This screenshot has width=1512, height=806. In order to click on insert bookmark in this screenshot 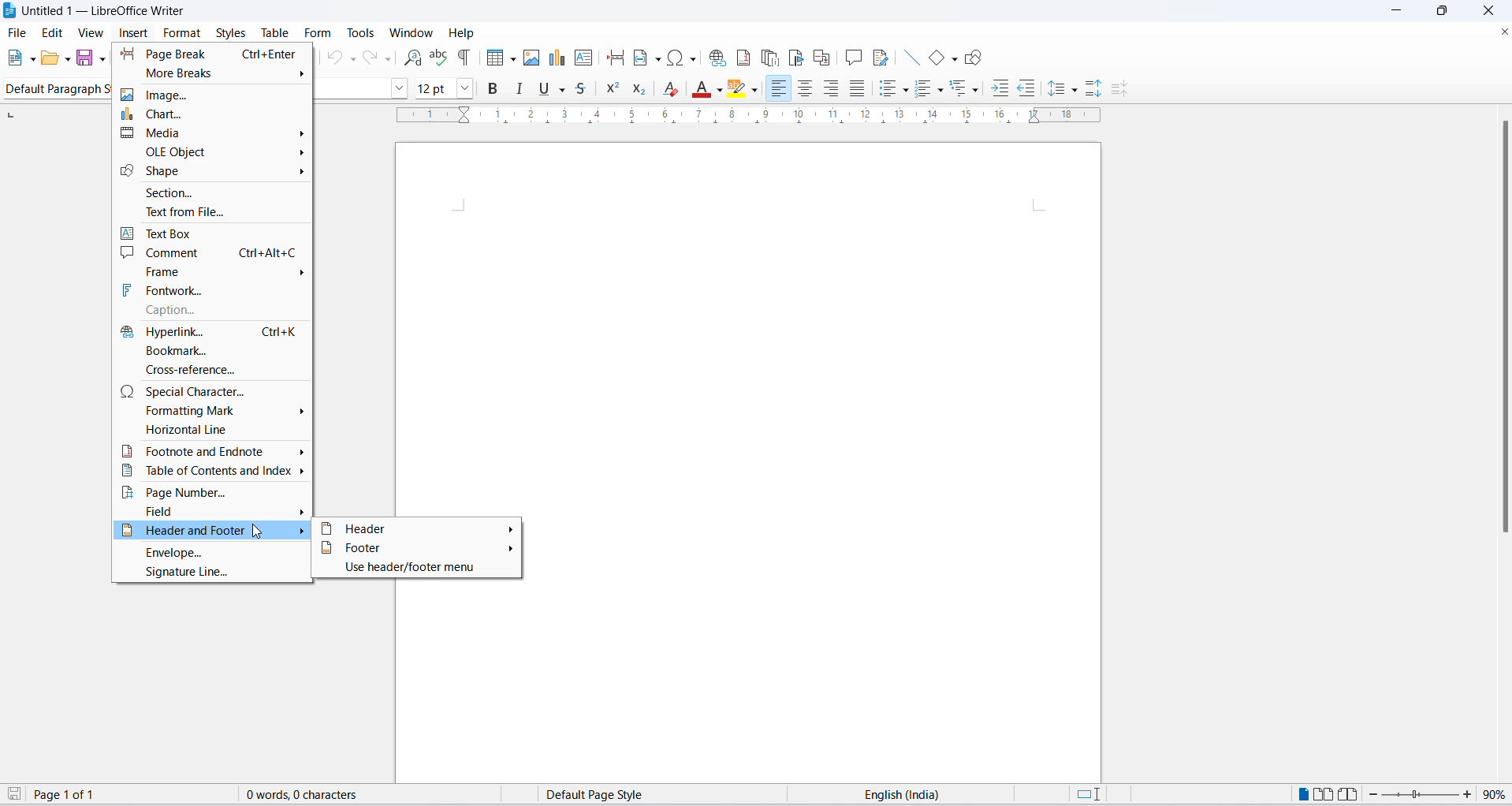, I will do `click(795, 55)`.